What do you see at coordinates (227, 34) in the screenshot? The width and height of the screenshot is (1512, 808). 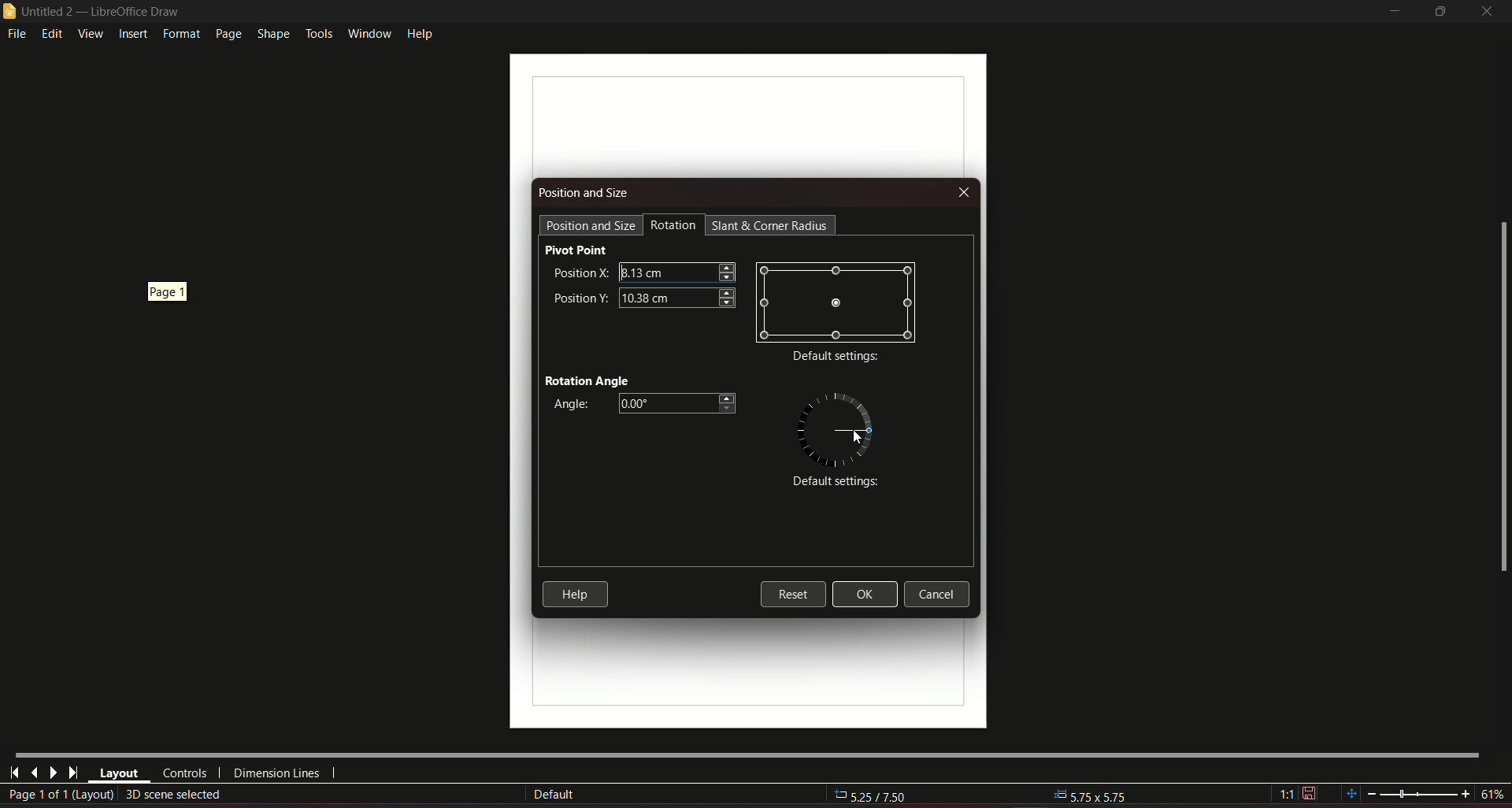 I see `page` at bounding box center [227, 34].